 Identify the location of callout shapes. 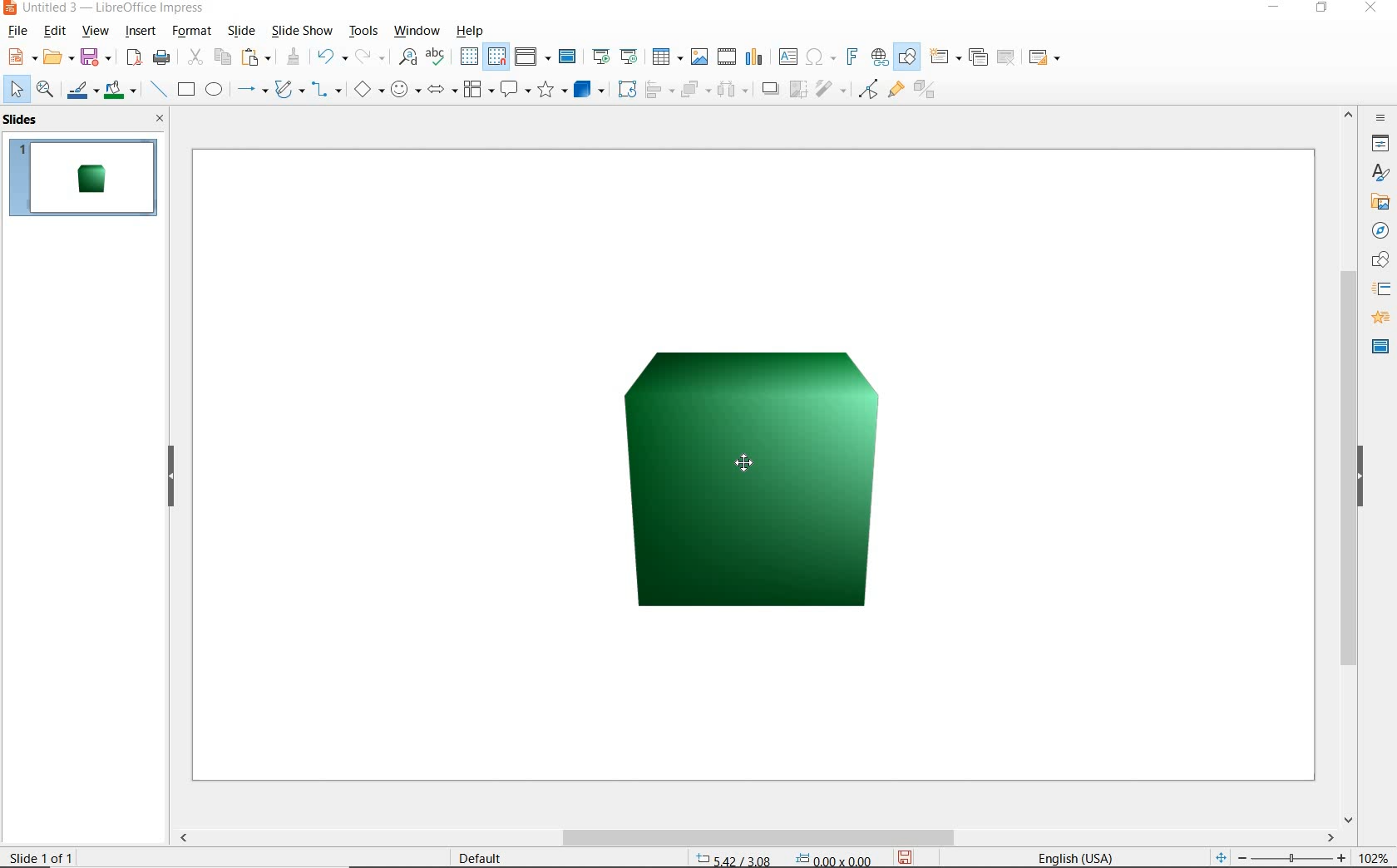
(516, 90).